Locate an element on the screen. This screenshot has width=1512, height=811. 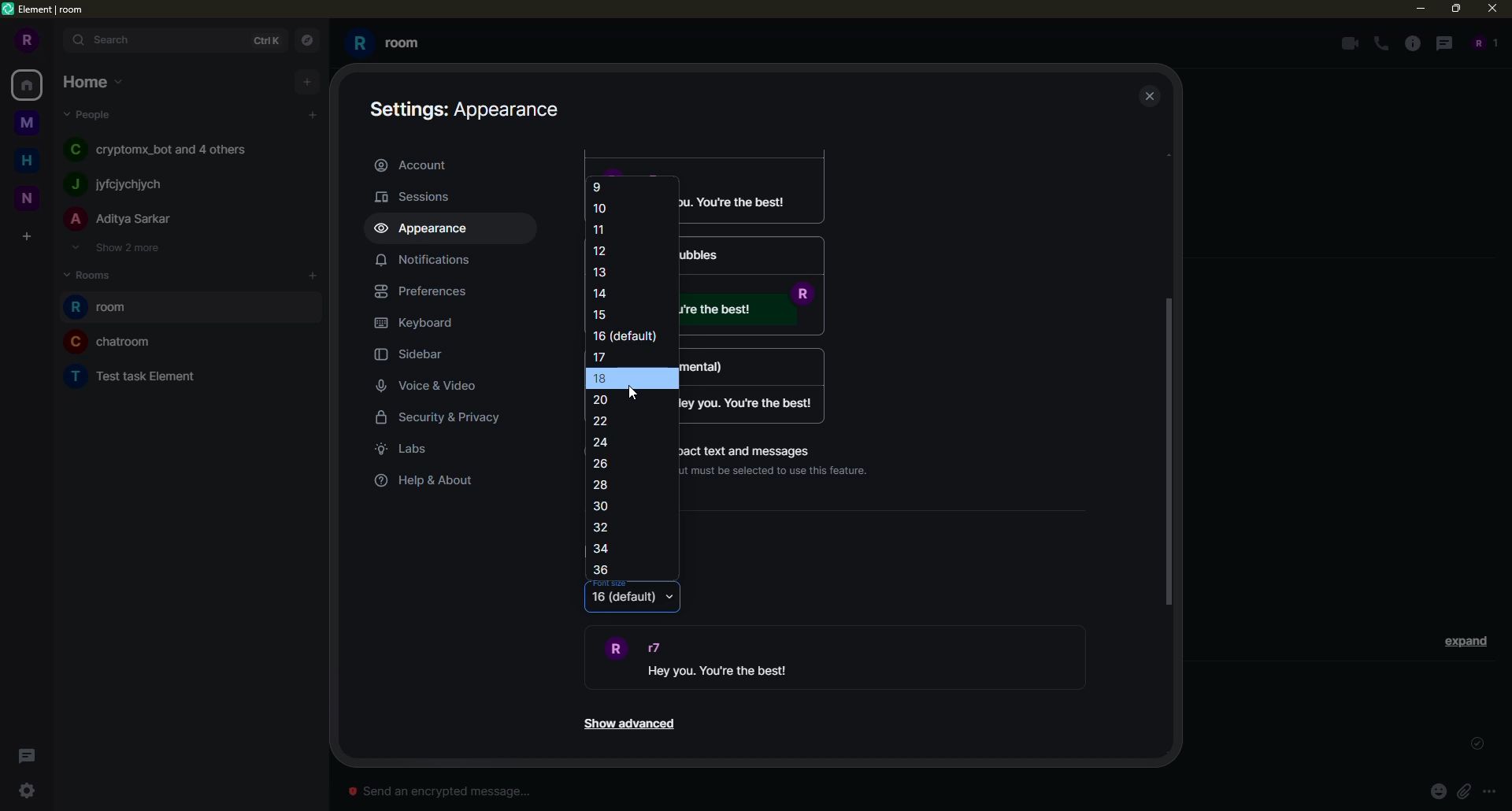
notifications is located at coordinates (422, 259).